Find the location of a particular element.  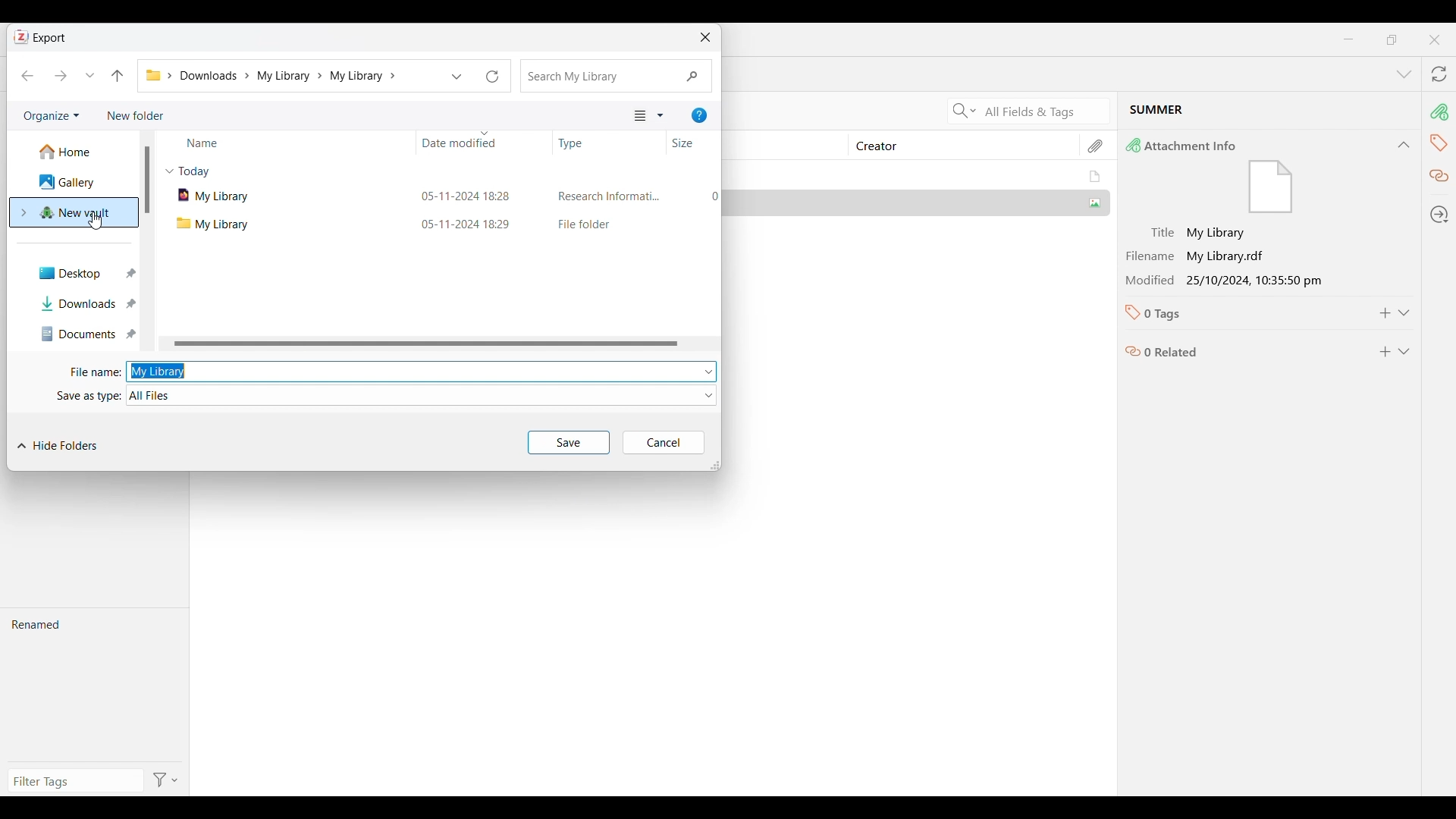

My Library is located at coordinates (919, 177).